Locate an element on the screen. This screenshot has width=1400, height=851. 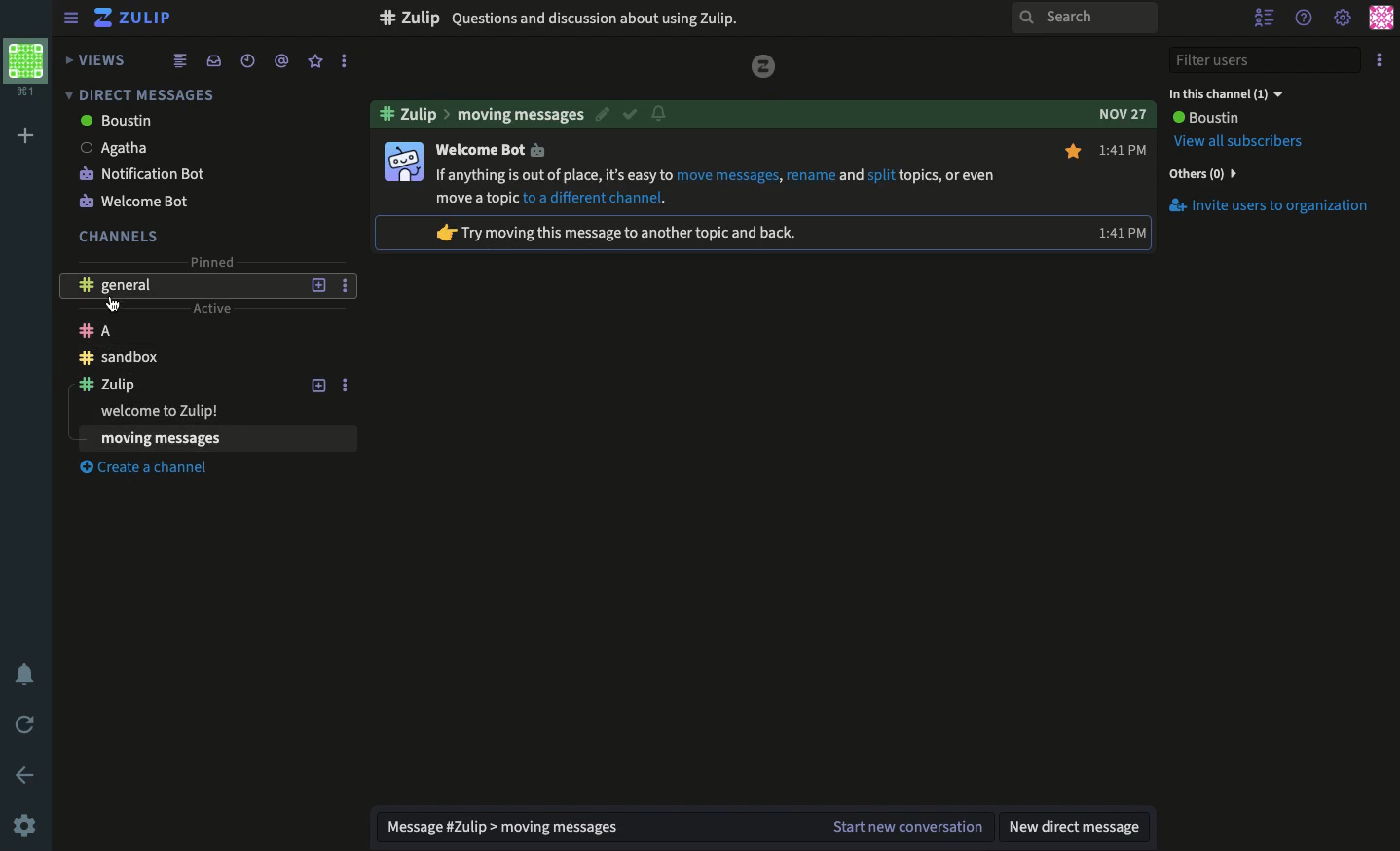
Options is located at coordinates (346, 385).